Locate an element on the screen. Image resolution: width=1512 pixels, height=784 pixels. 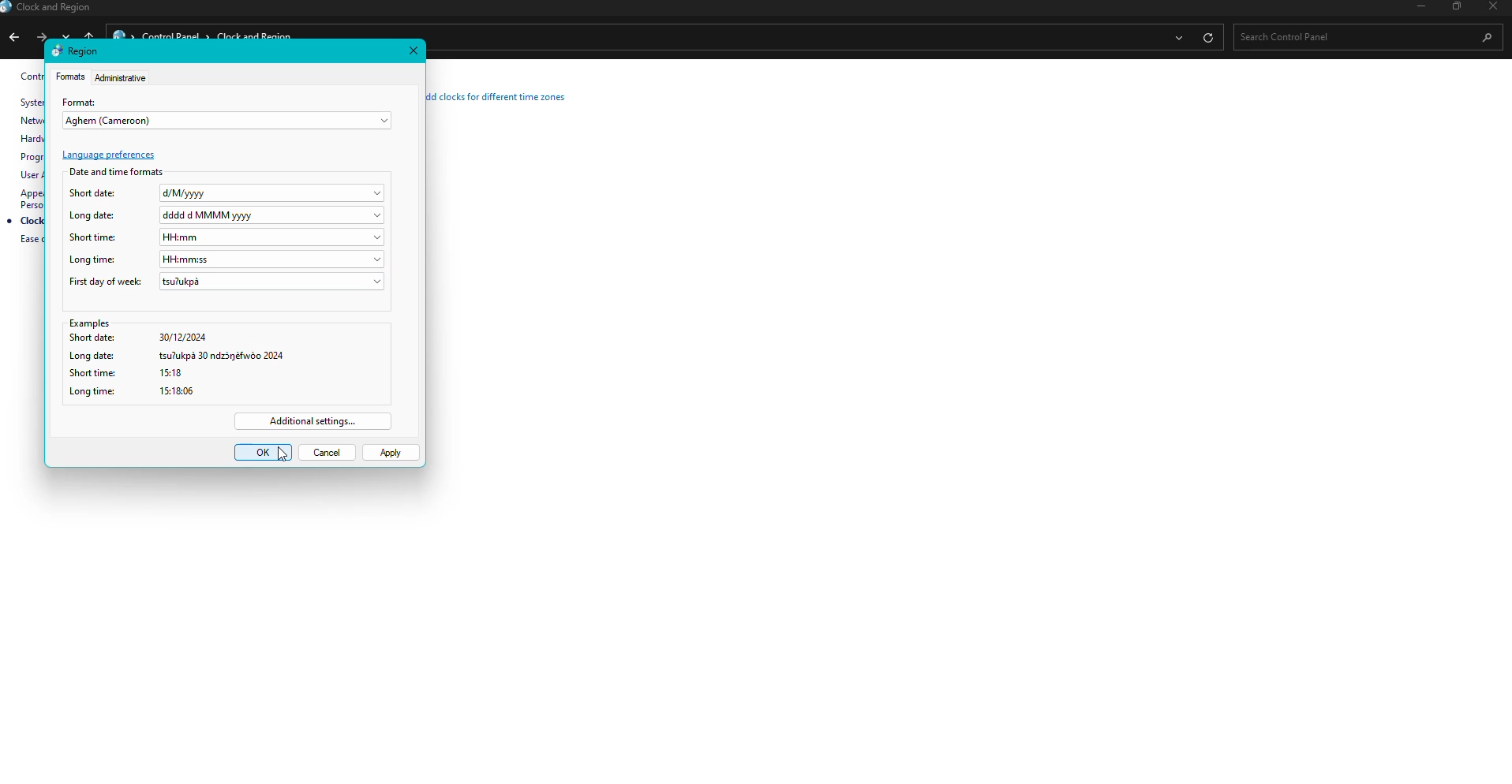
Format is located at coordinates (80, 101).